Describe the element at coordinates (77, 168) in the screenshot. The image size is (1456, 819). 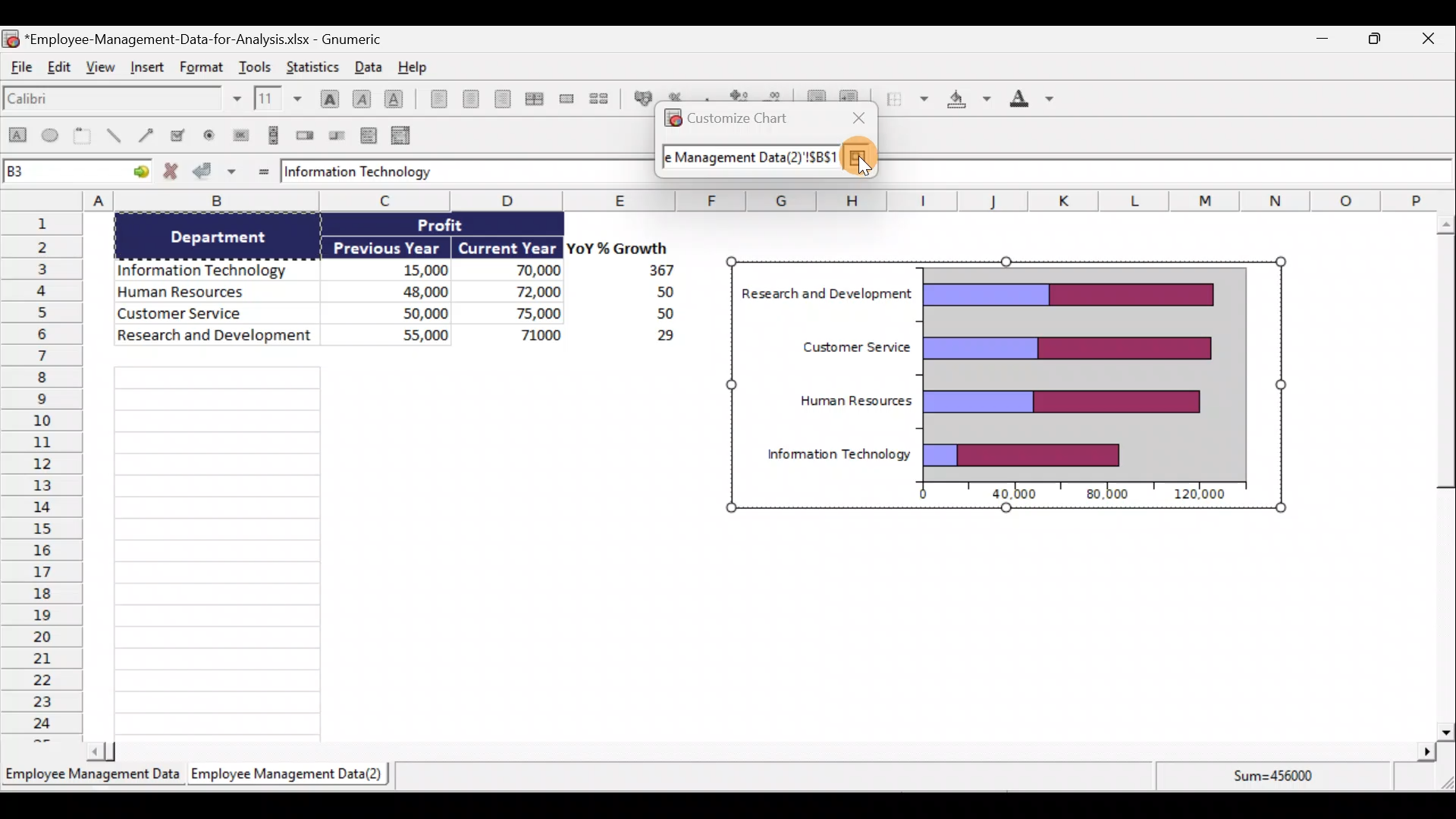
I see `Cell name` at that location.